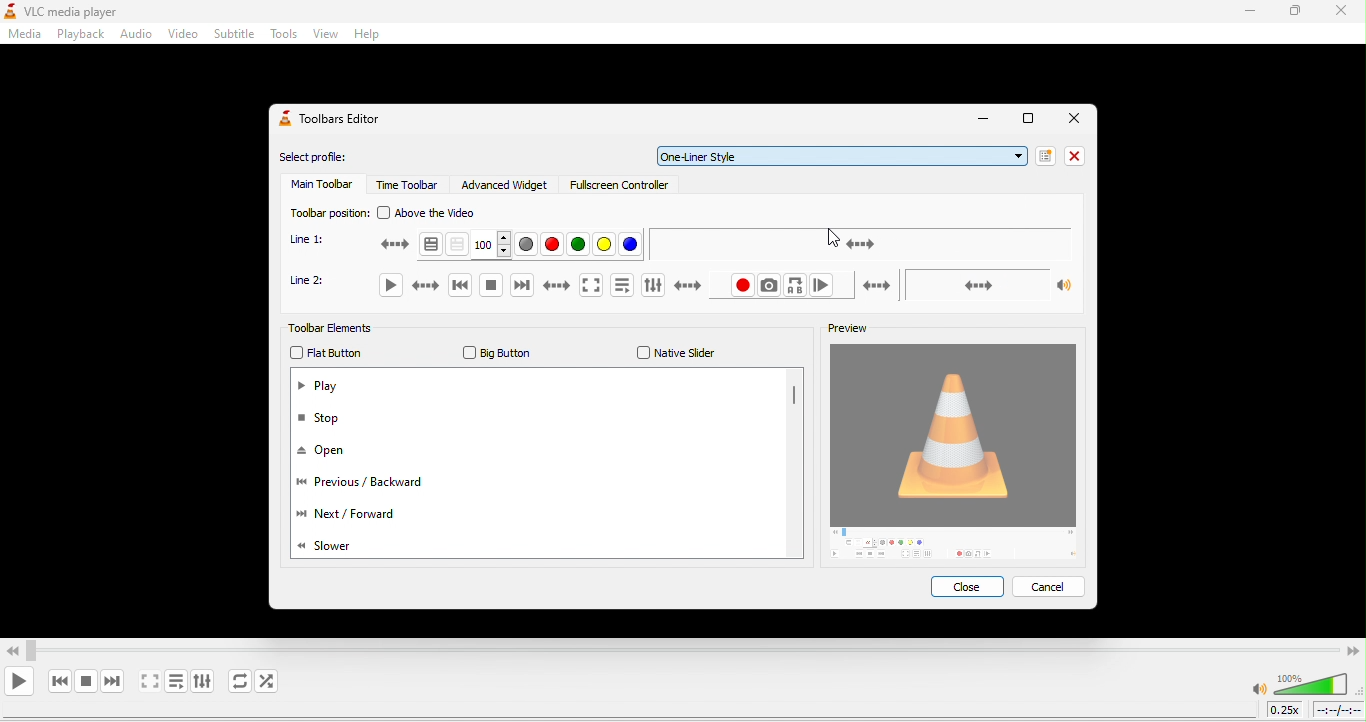  Describe the element at coordinates (78, 35) in the screenshot. I see `playback` at that location.